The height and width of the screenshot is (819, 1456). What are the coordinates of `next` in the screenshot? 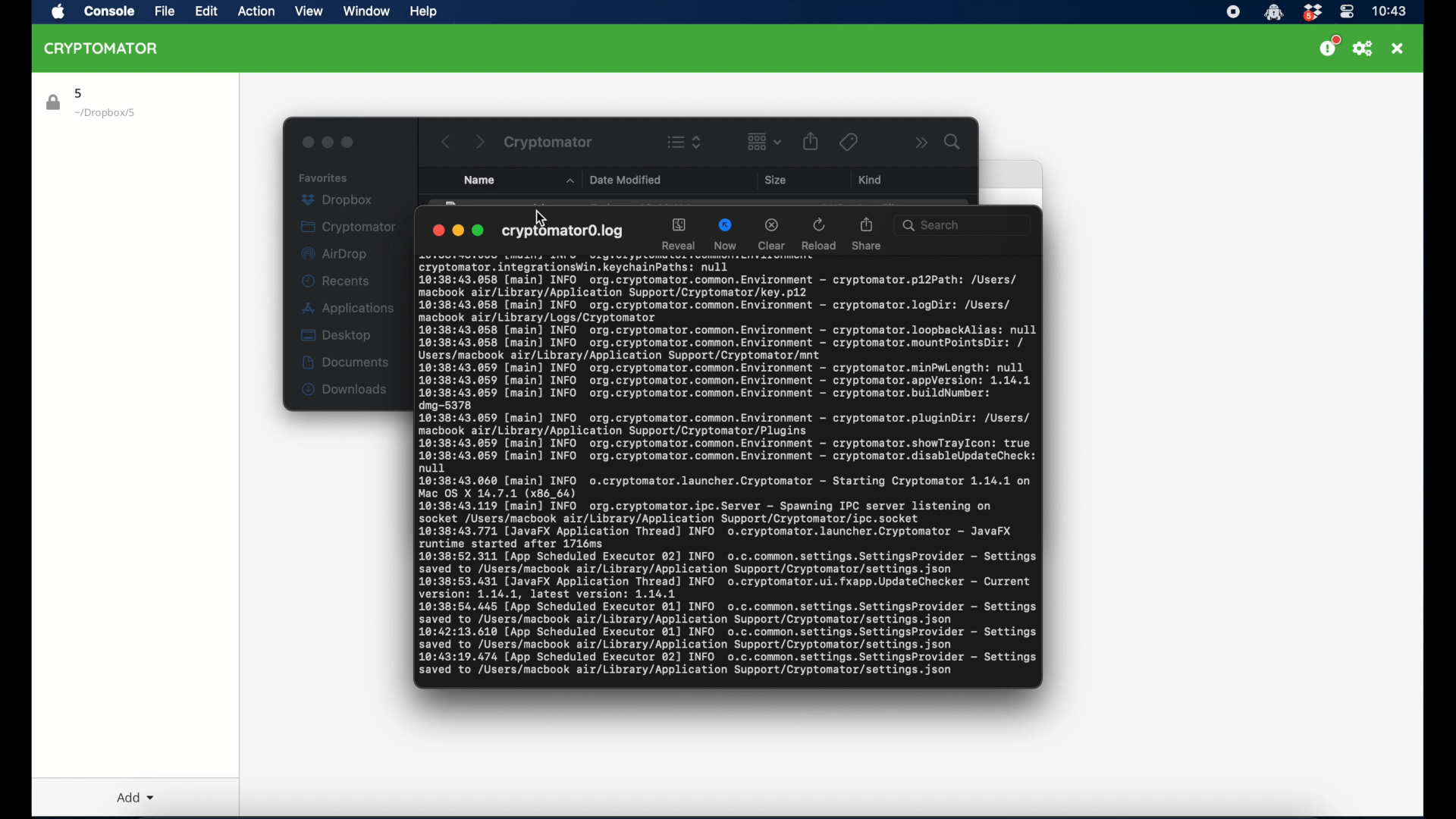 It's located at (482, 141).